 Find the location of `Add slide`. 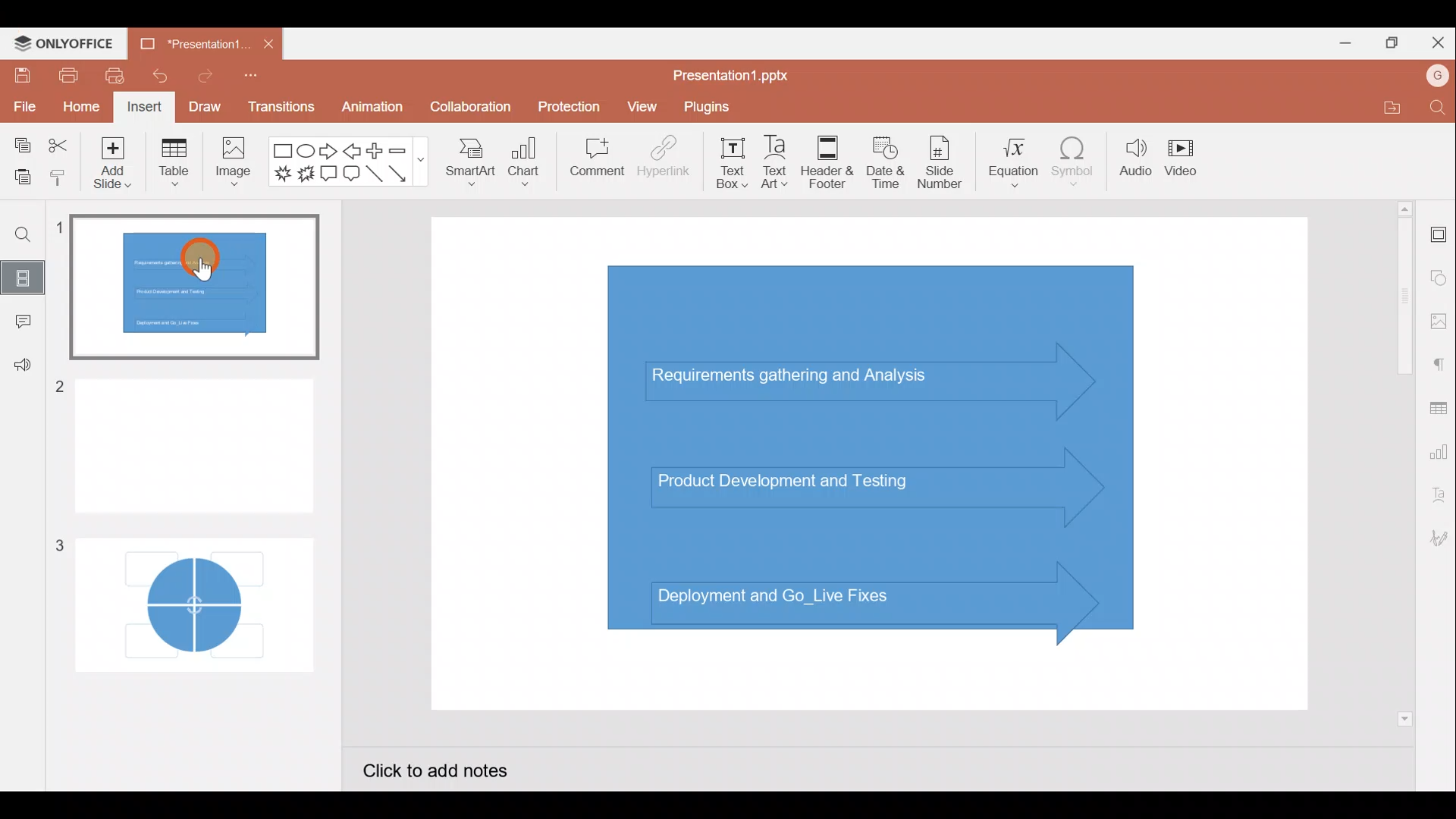

Add slide is located at coordinates (109, 165).